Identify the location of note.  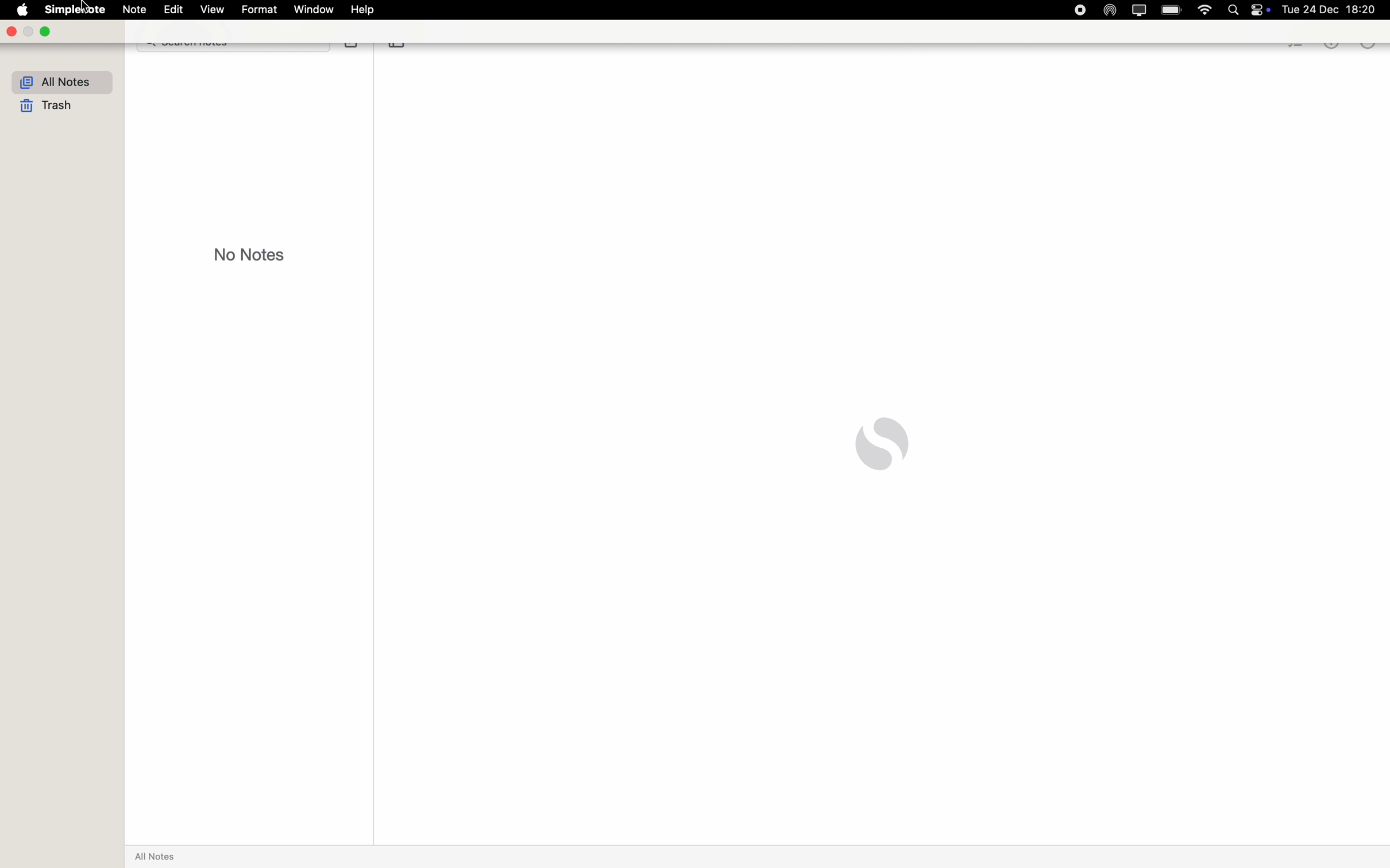
(134, 10).